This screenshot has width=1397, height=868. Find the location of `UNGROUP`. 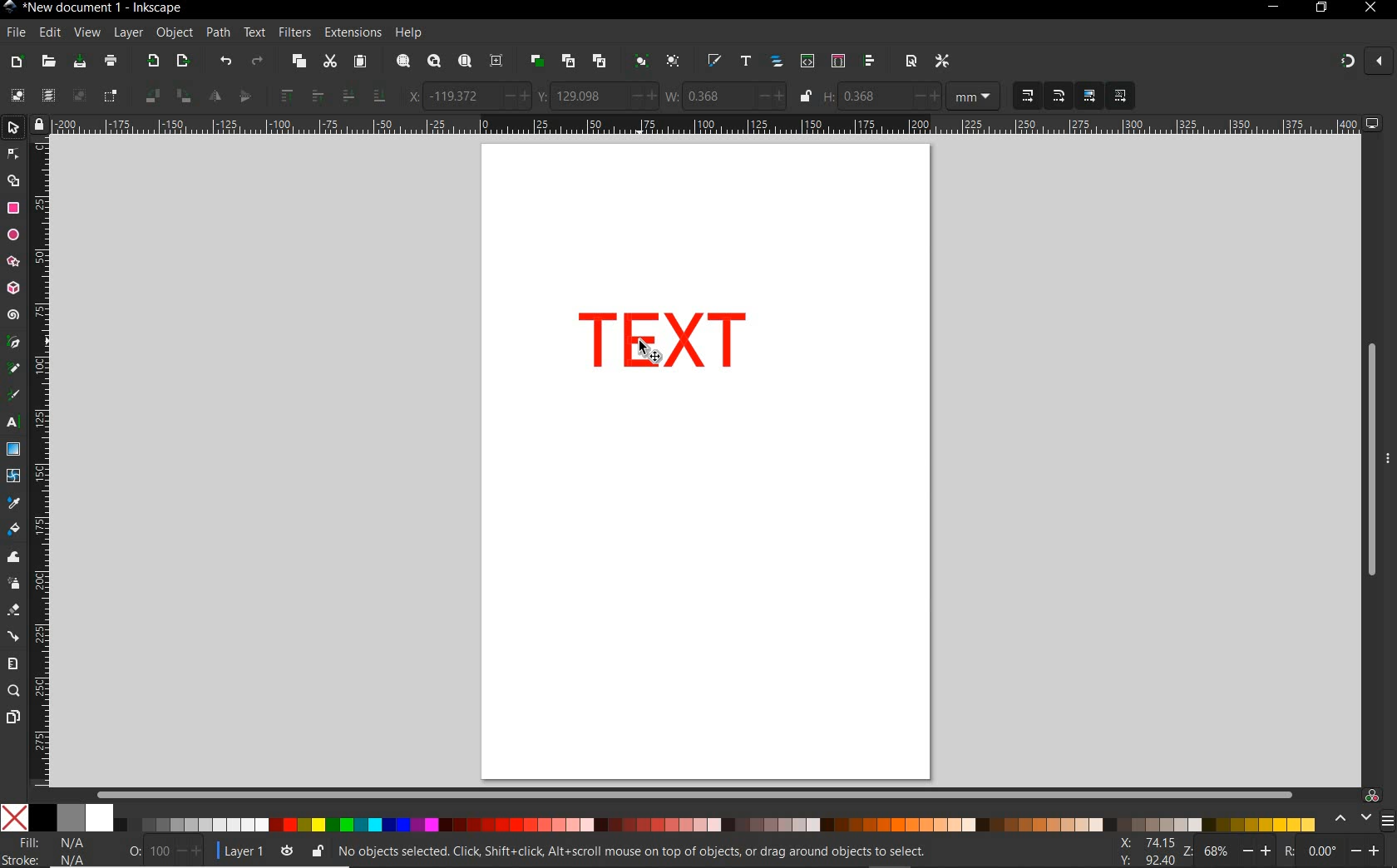

UNGROUP is located at coordinates (674, 62).